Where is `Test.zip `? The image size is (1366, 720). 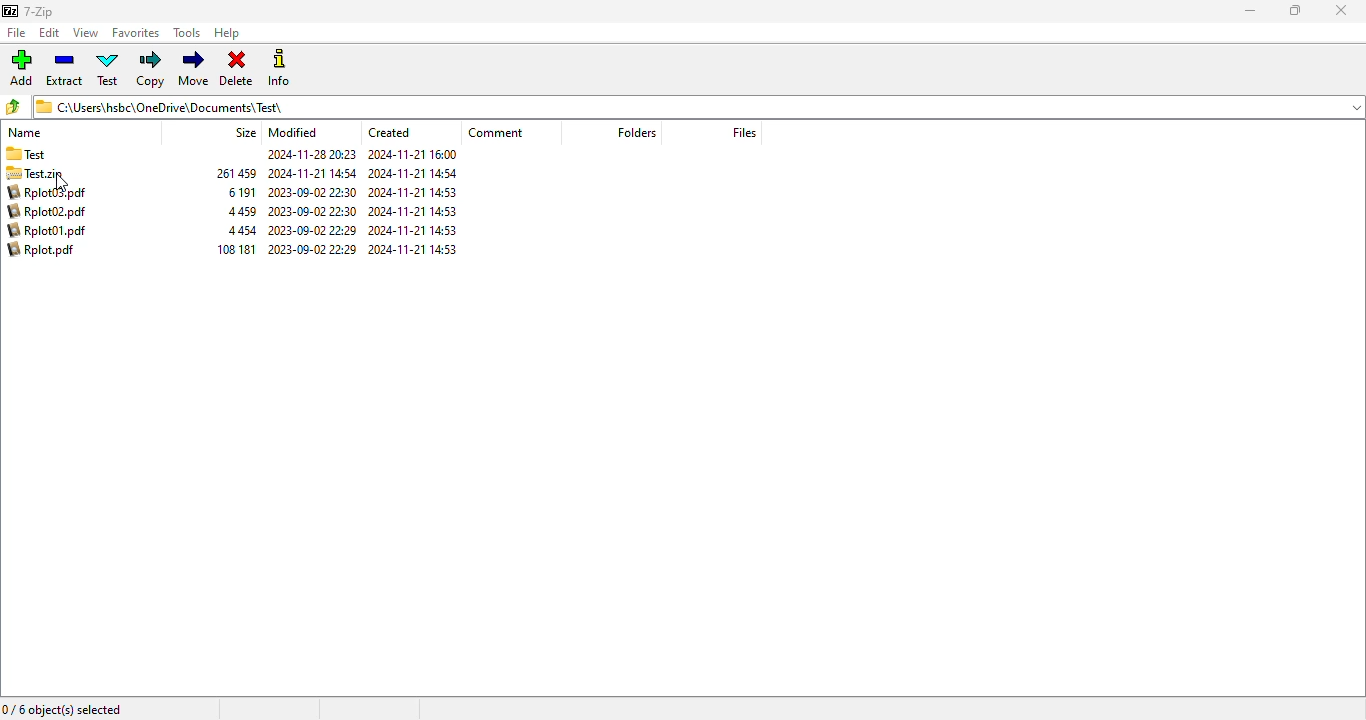 Test.zip  is located at coordinates (52, 173).